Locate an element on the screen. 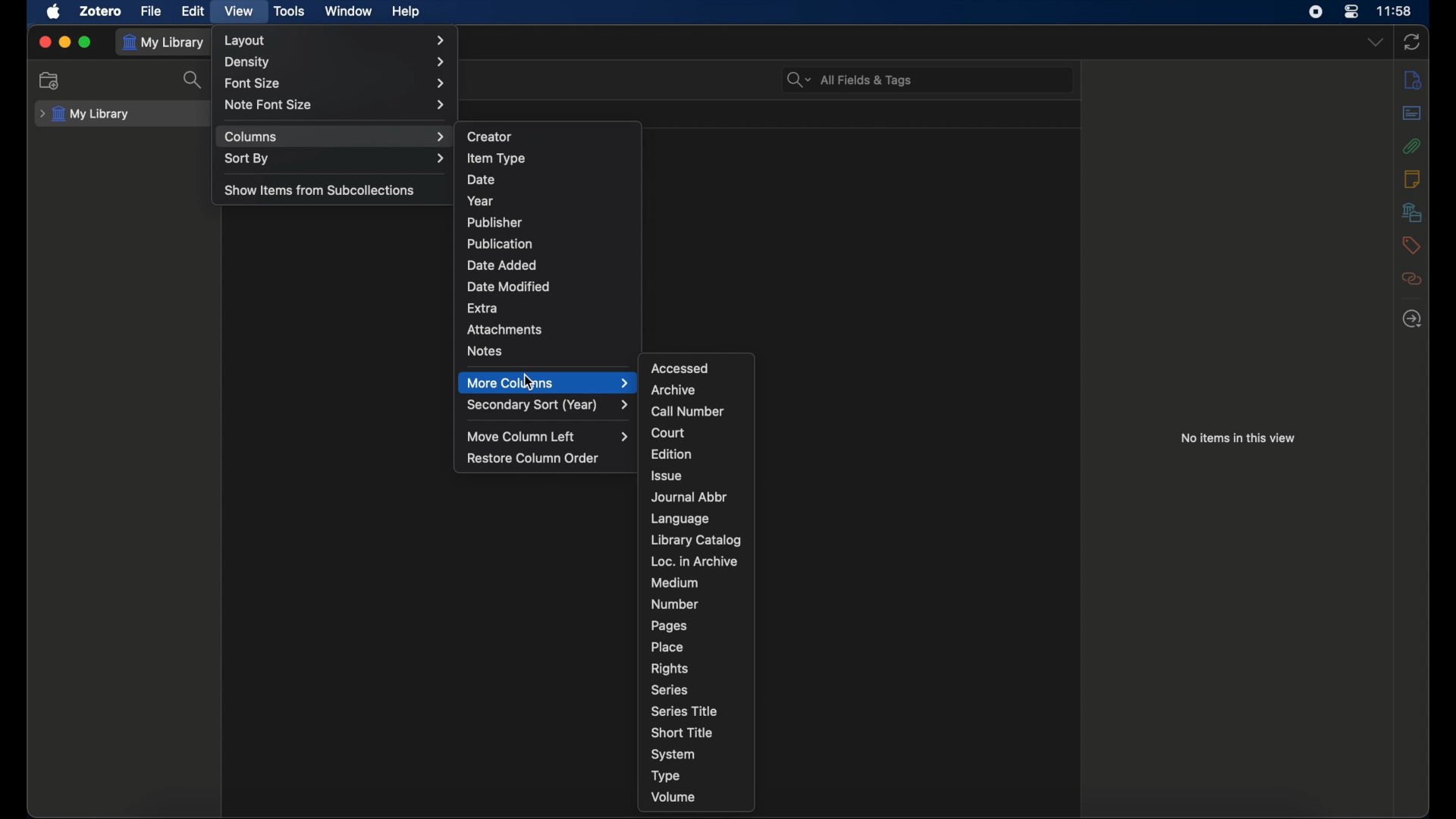  density is located at coordinates (335, 63).